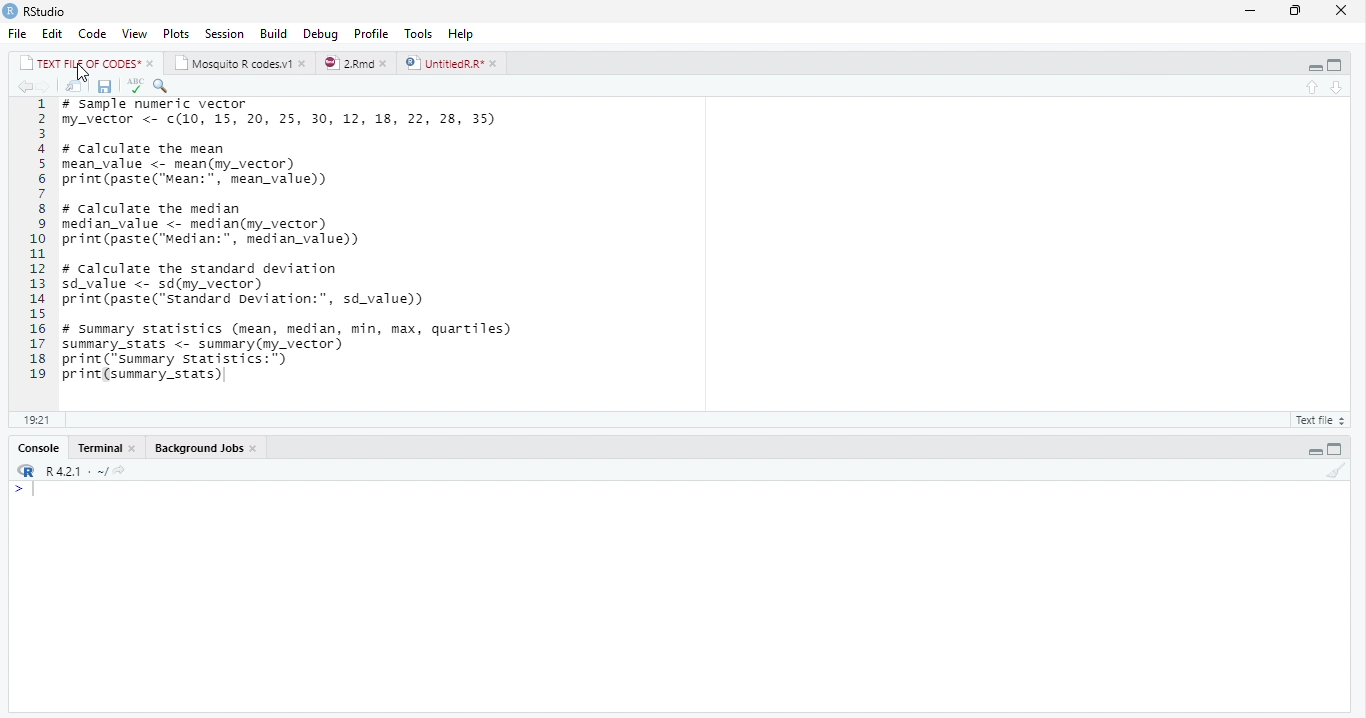 Image resolution: width=1366 pixels, height=718 pixels. Describe the element at coordinates (41, 449) in the screenshot. I see `Console` at that location.